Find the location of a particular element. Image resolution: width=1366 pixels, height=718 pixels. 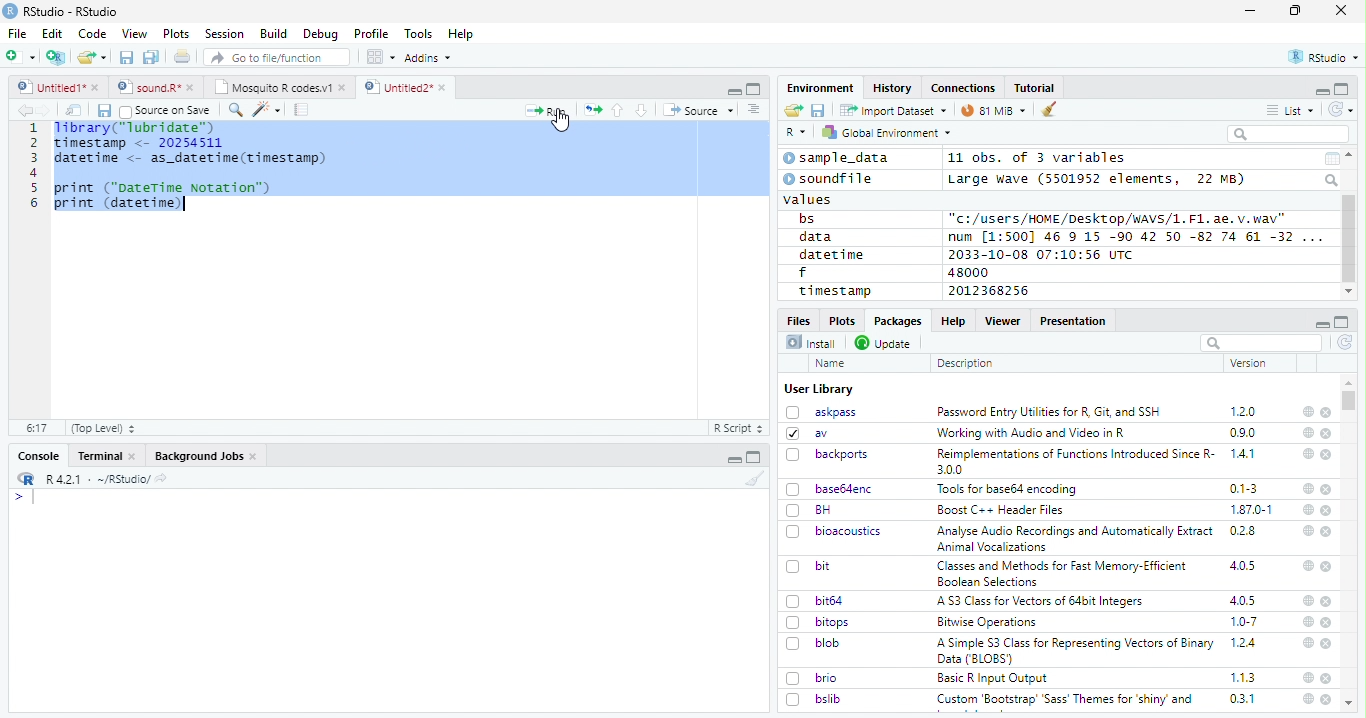

0.9.0 is located at coordinates (1243, 433).